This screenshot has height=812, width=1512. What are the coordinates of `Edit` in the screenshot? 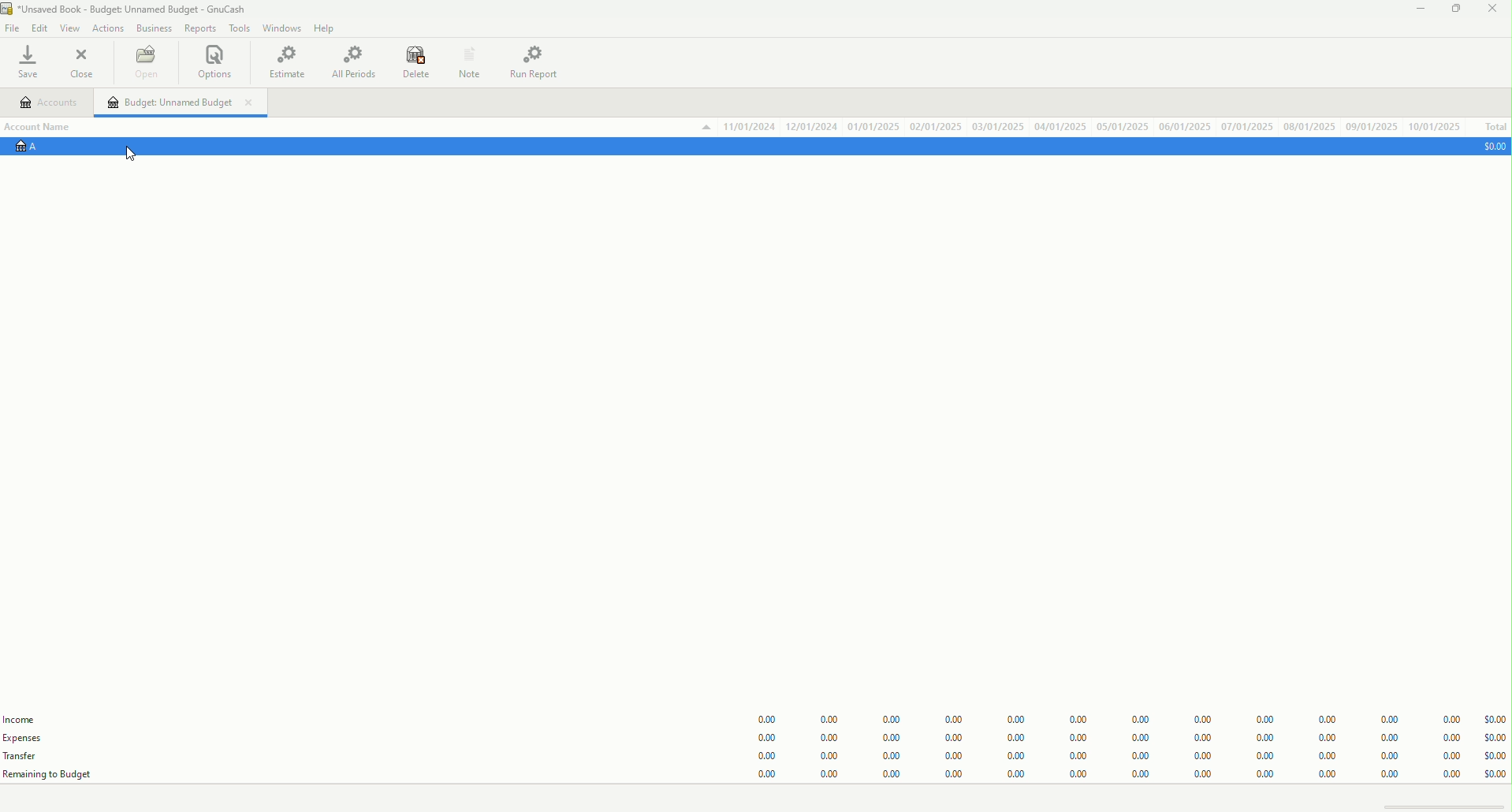 It's located at (41, 28).